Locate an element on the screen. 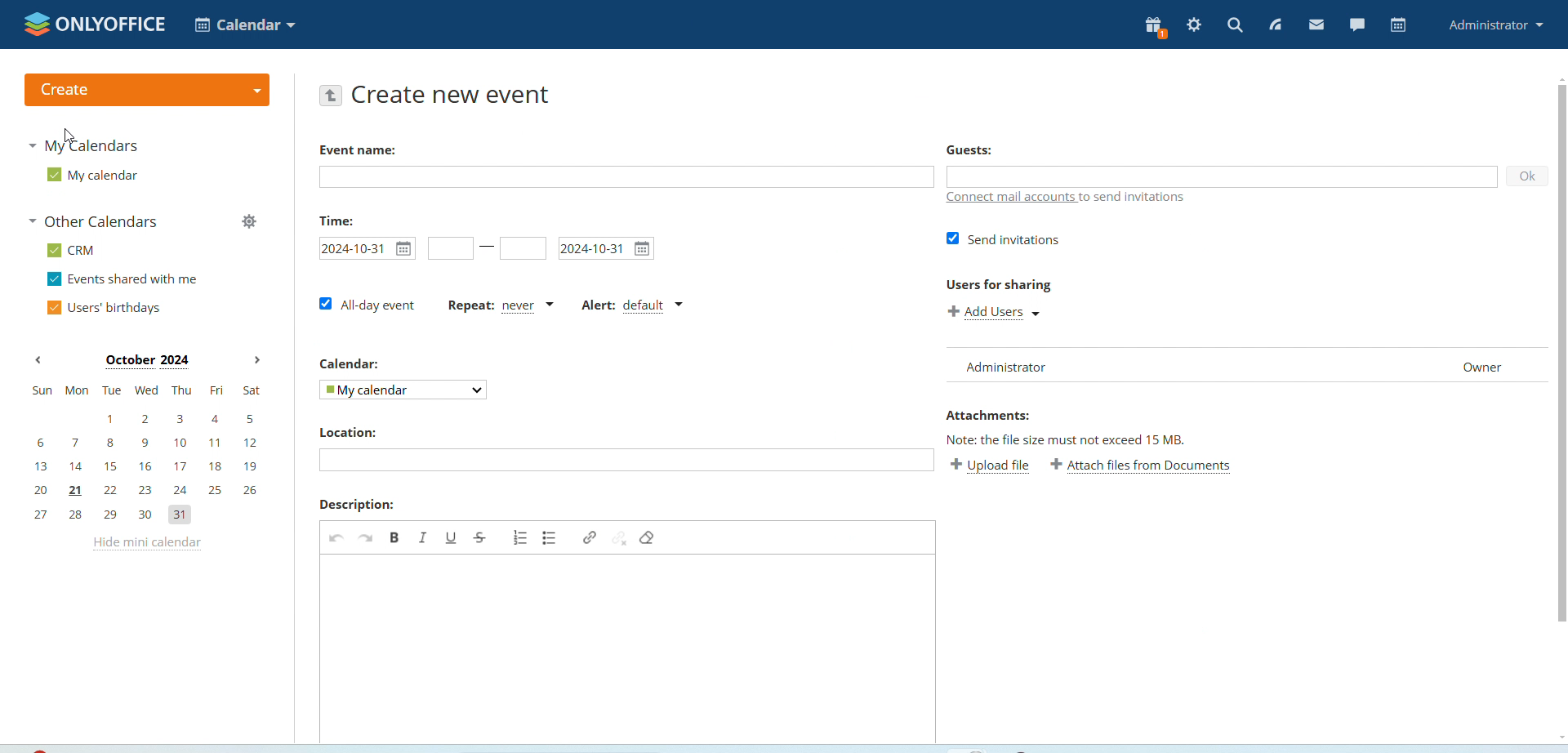 The image size is (1568, 753). Event name is located at coordinates (358, 150).